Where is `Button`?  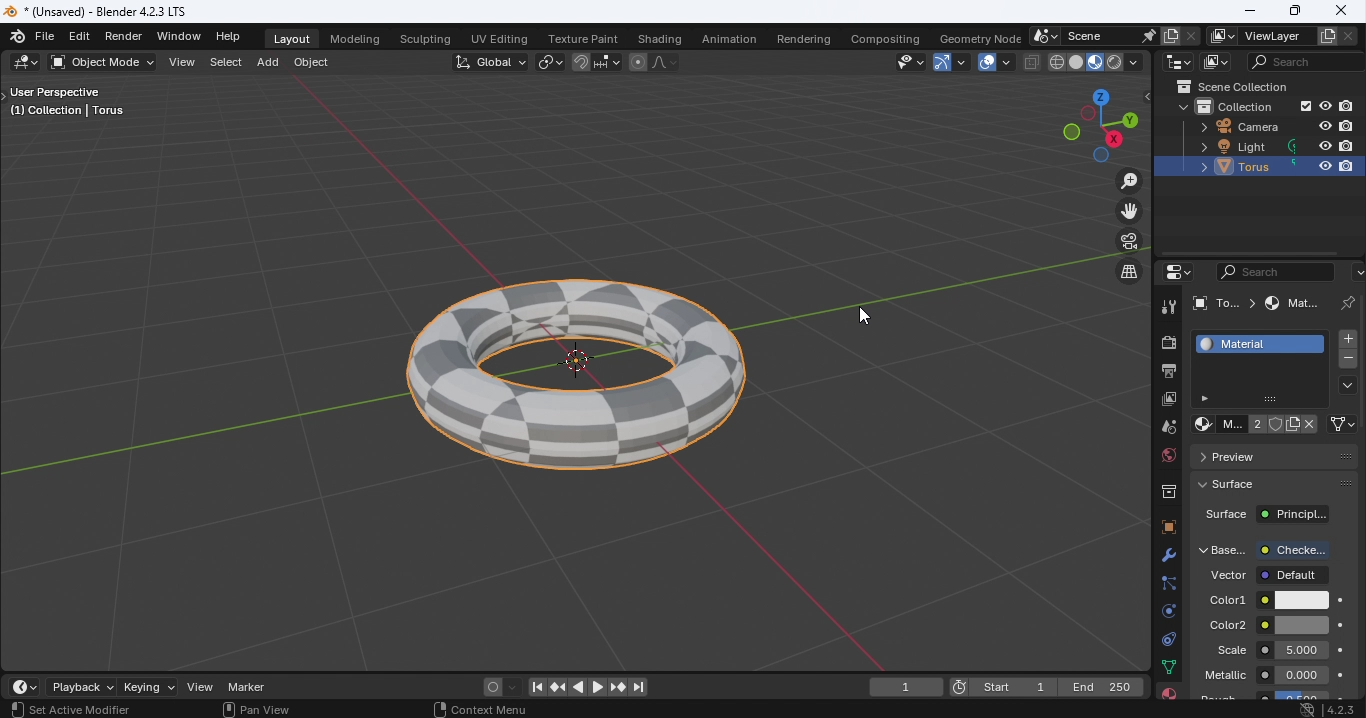 Button is located at coordinates (1207, 398).